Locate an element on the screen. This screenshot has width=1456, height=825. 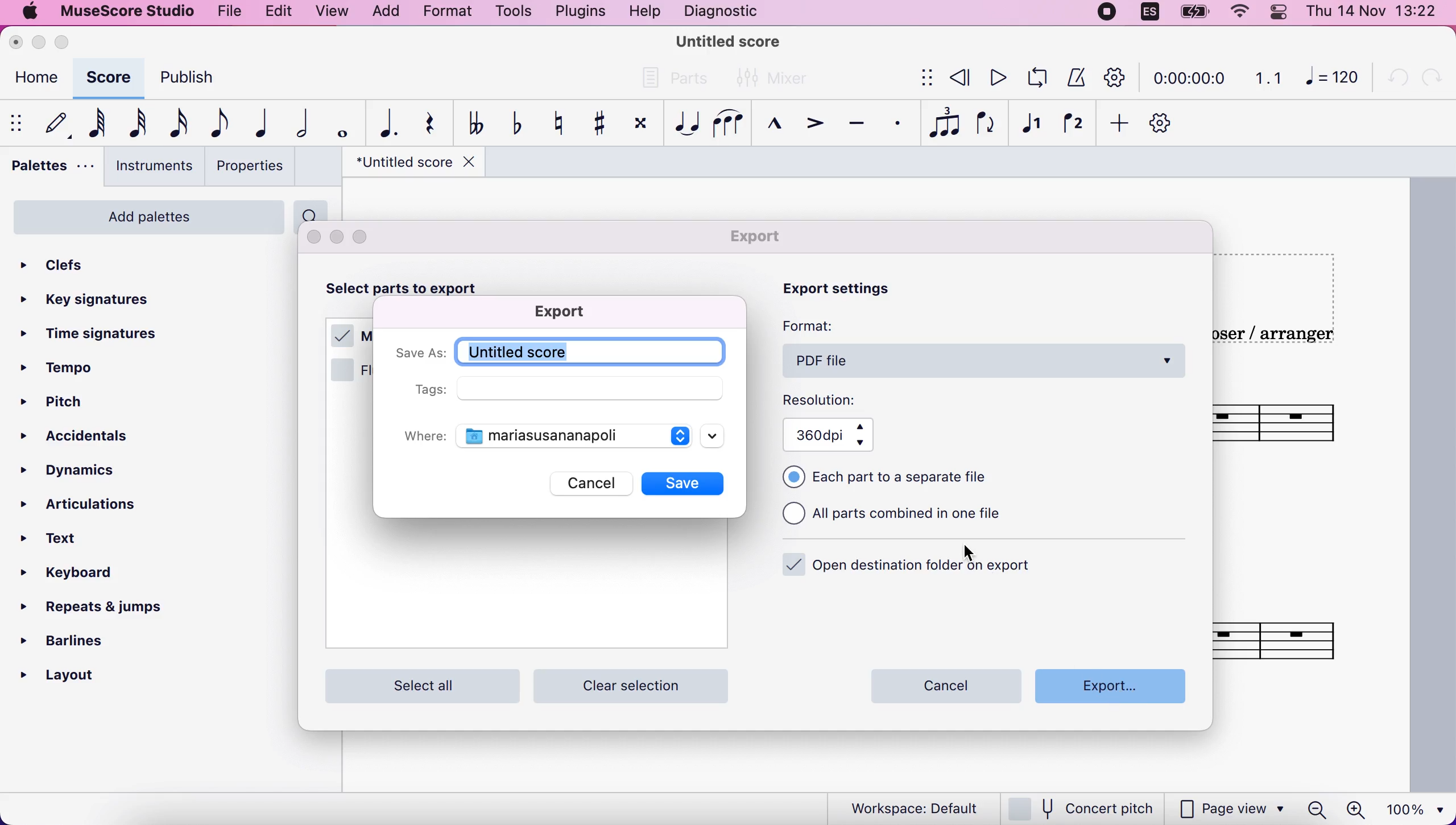
play is located at coordinates (994, 80).